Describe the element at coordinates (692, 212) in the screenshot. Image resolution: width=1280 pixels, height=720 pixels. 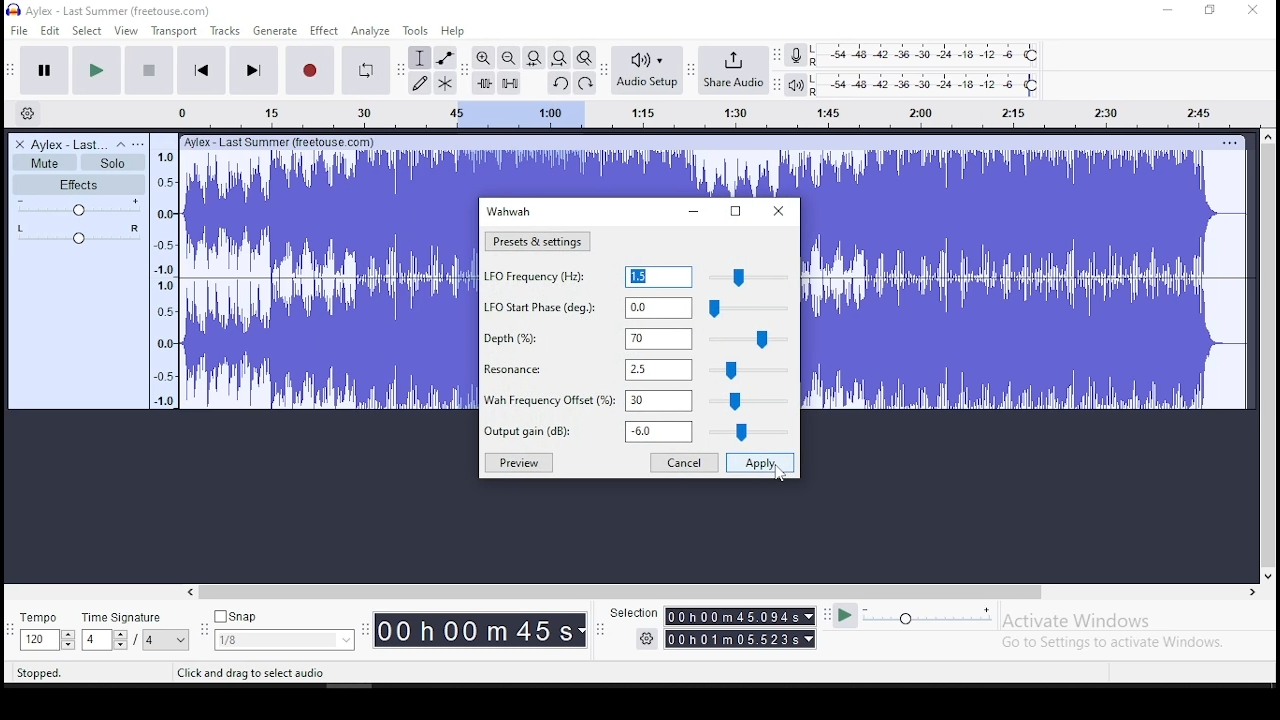
I see `minimize` at that location.